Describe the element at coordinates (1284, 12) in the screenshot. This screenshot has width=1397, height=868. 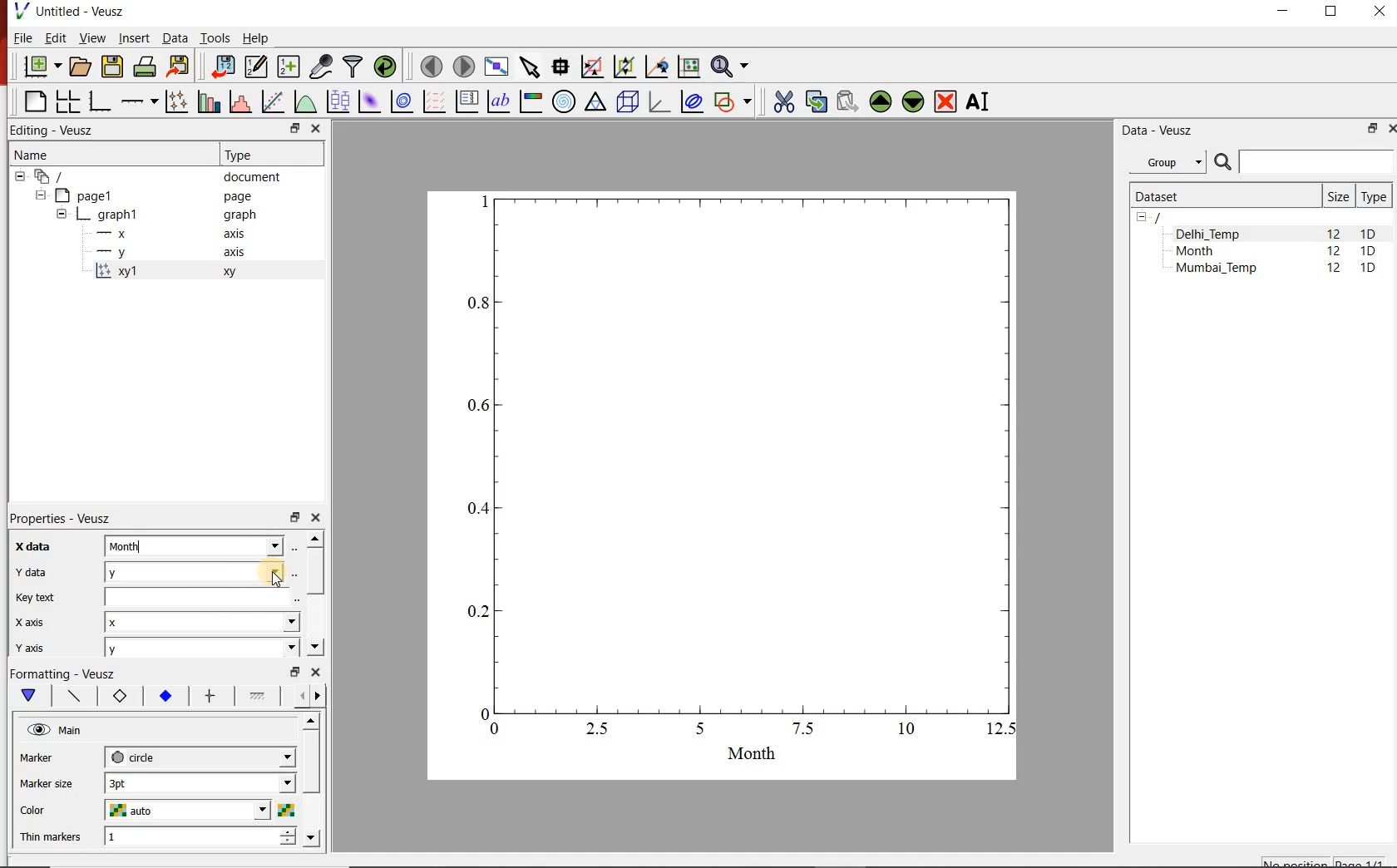
I see `MINIMIZE` at that location.